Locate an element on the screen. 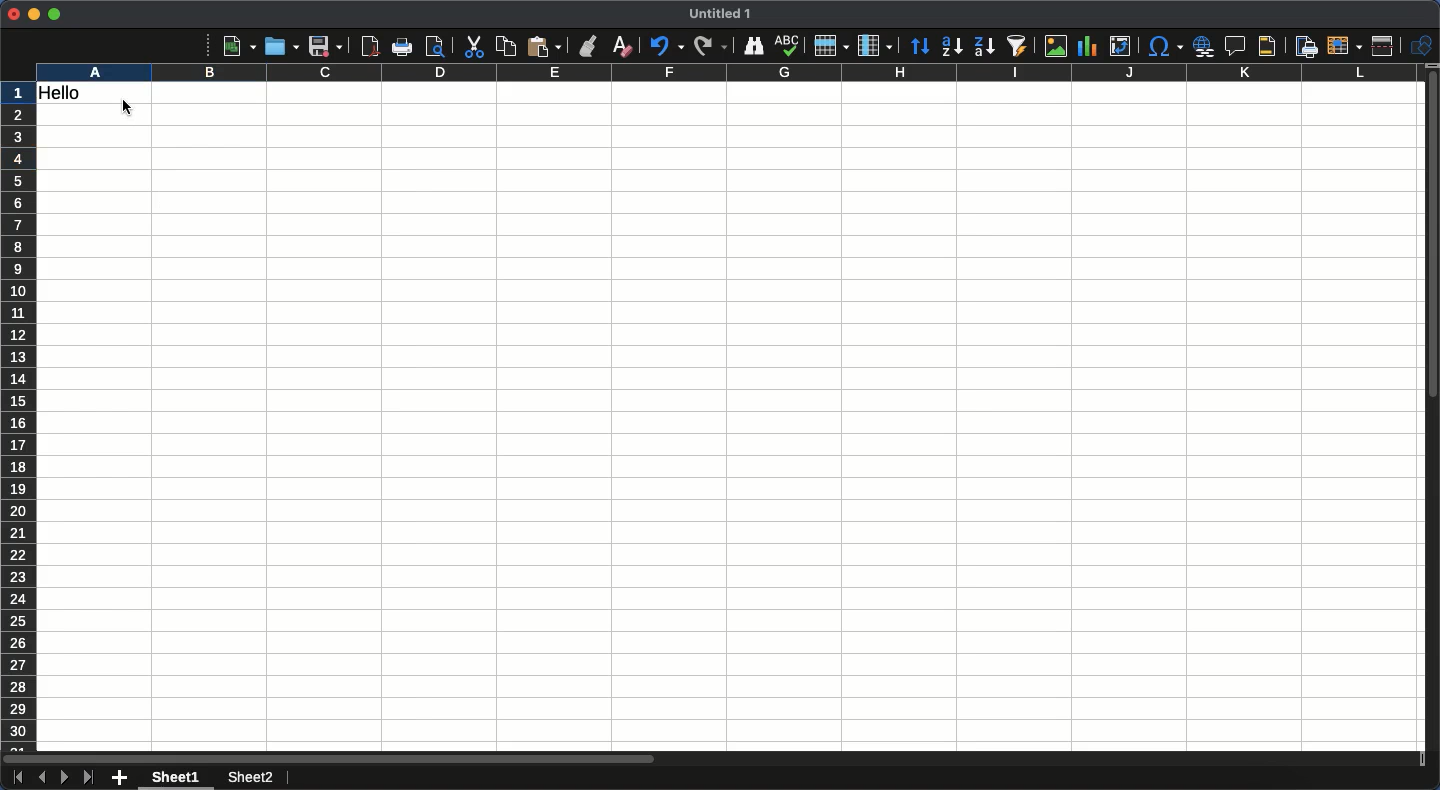 This screenshot has height=790, width=1440. Define print area is located at coordinates (1305, 47).